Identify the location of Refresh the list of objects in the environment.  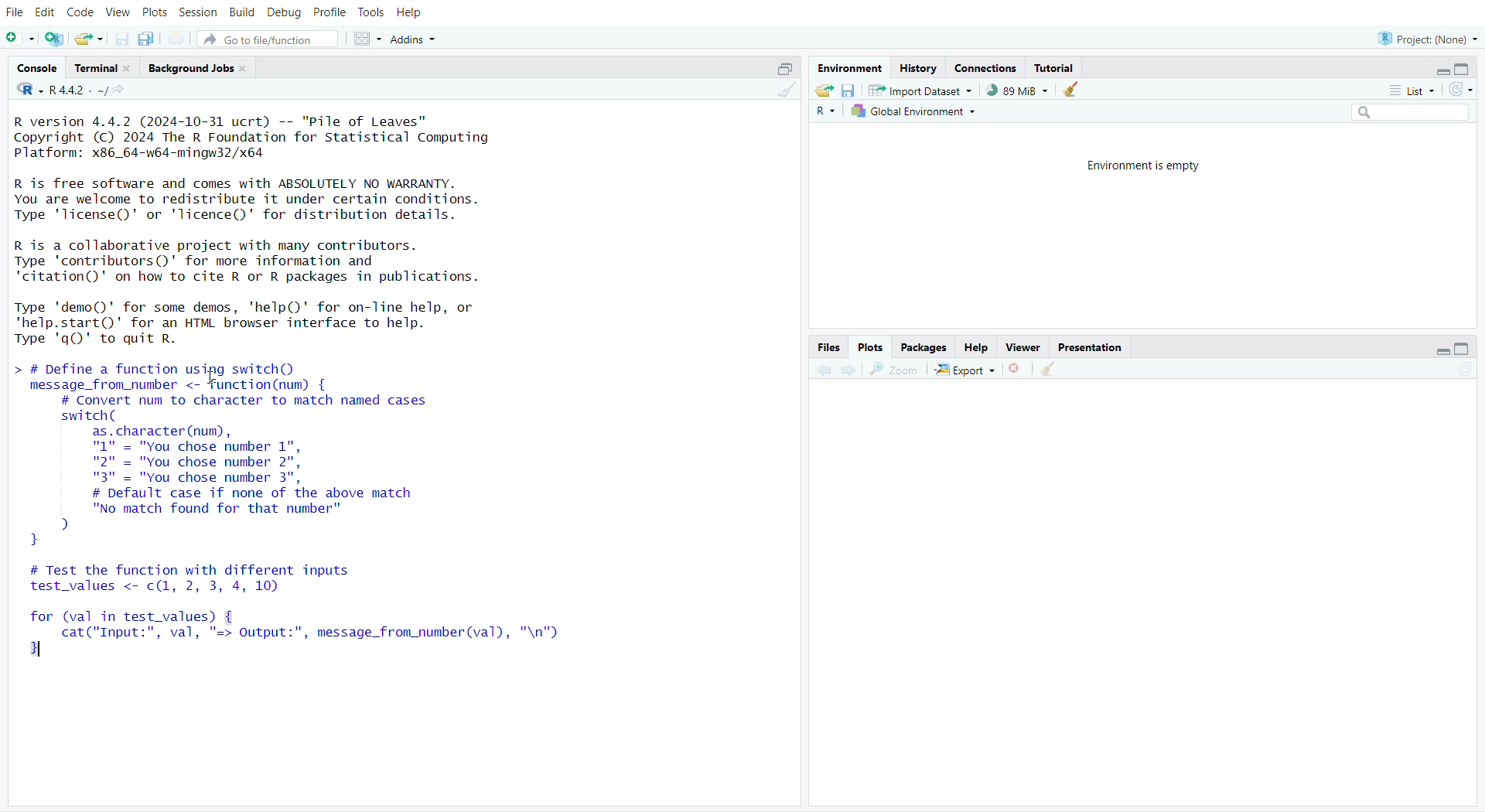
(1462, 89).